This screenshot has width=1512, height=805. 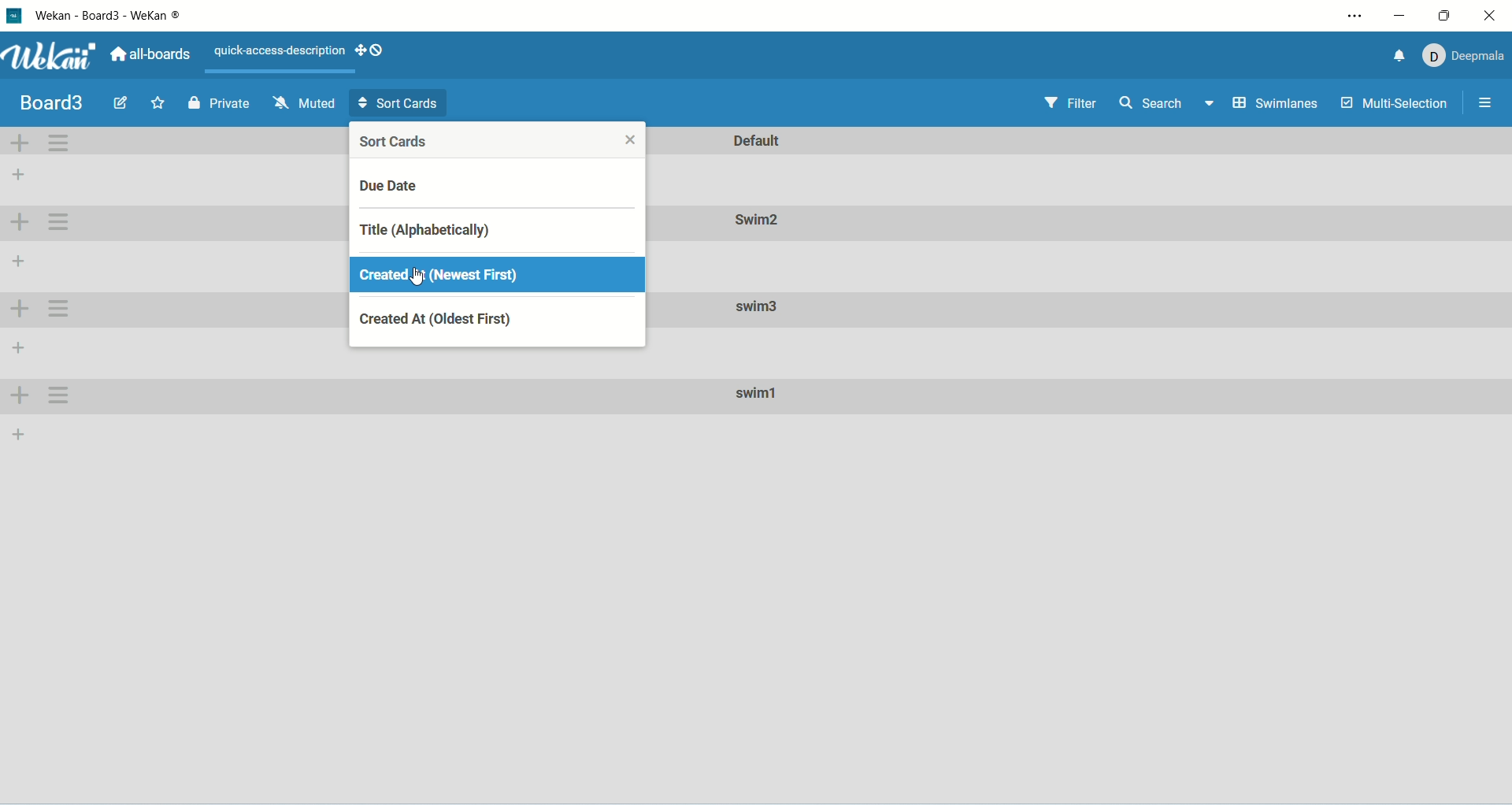 I want to click on swimlanes, so click(x=1277, y=106).